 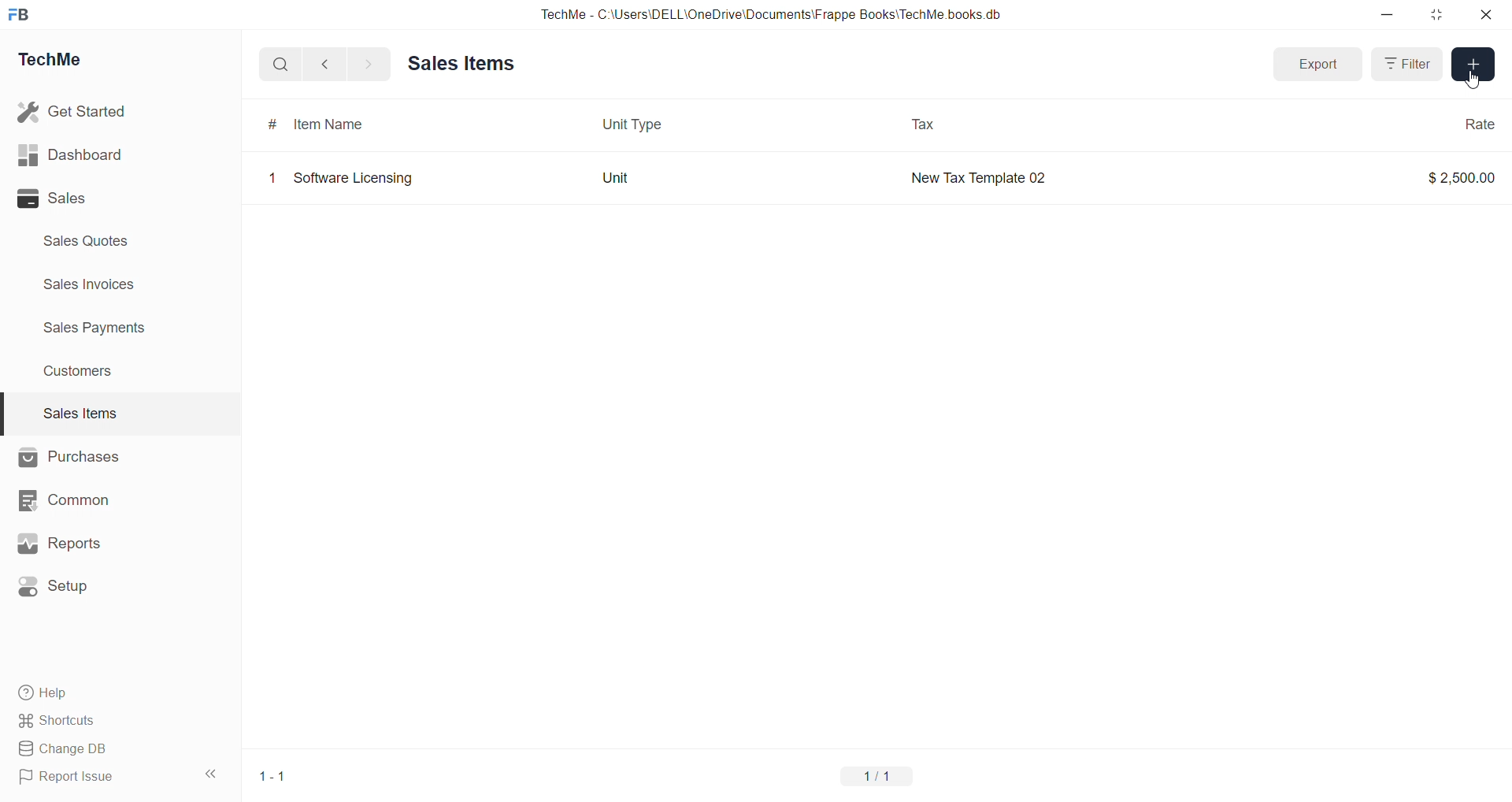 I want to click on Setup, so click(x=59, y=585).